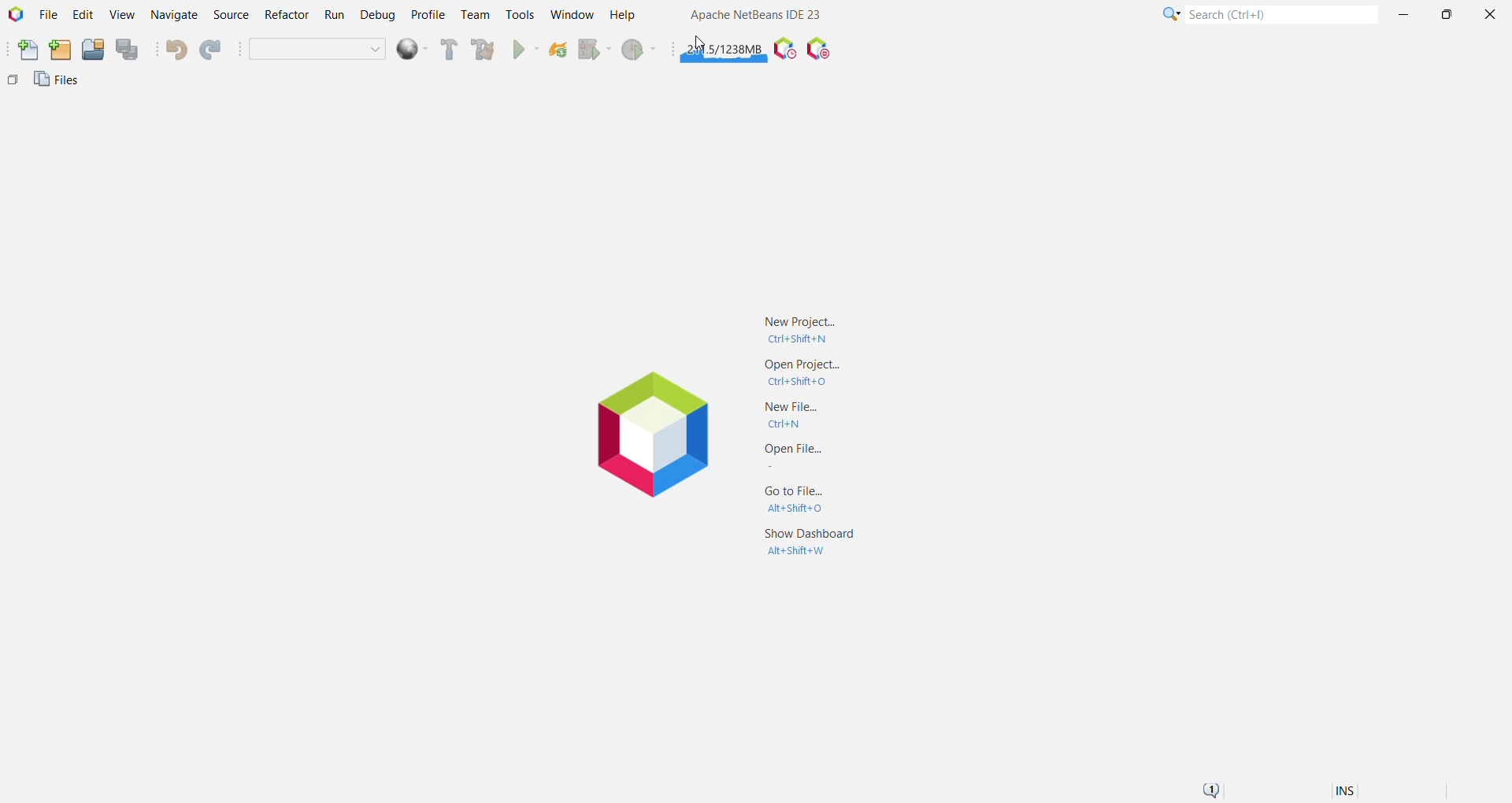 The image size is (1512, 803). Describe the element at coordinates (724, 47) in the screenshot. I see `Click to force garbage collection` at that location.